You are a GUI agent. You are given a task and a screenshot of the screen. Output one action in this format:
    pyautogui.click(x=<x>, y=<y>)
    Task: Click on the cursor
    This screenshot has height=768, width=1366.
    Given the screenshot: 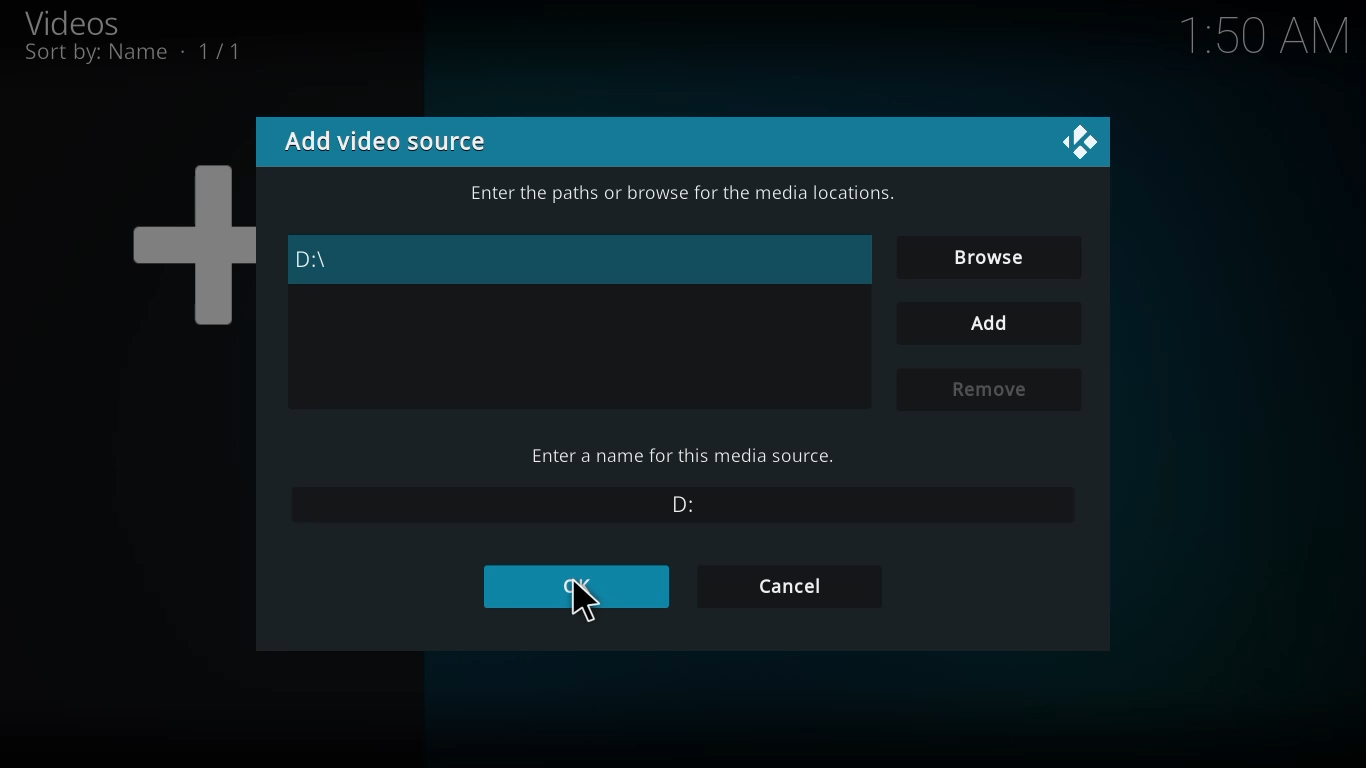 What is the action you would take?
    pyautogui.click(x=587, y=606)
    